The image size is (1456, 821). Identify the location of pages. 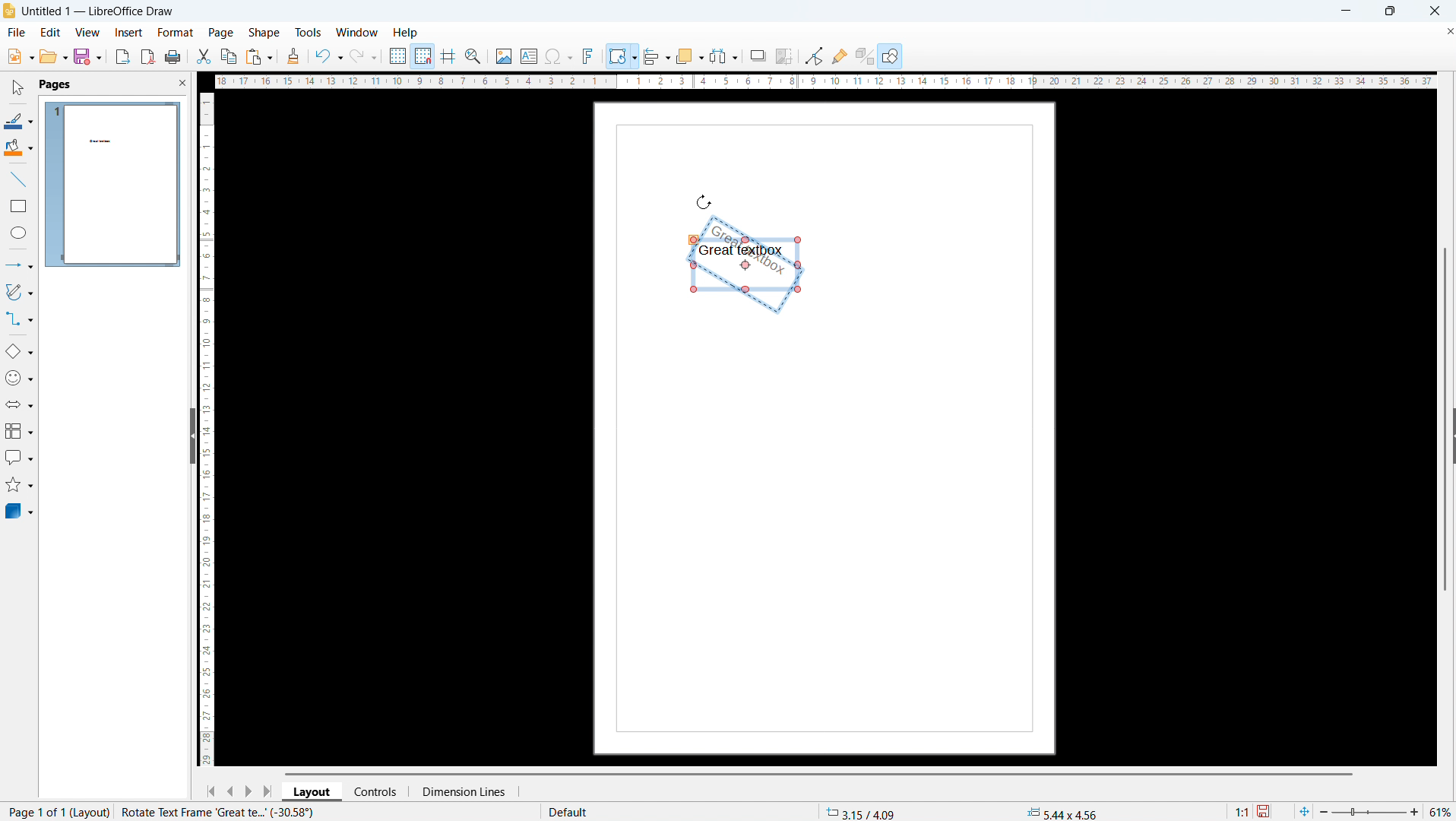
(55, 84).